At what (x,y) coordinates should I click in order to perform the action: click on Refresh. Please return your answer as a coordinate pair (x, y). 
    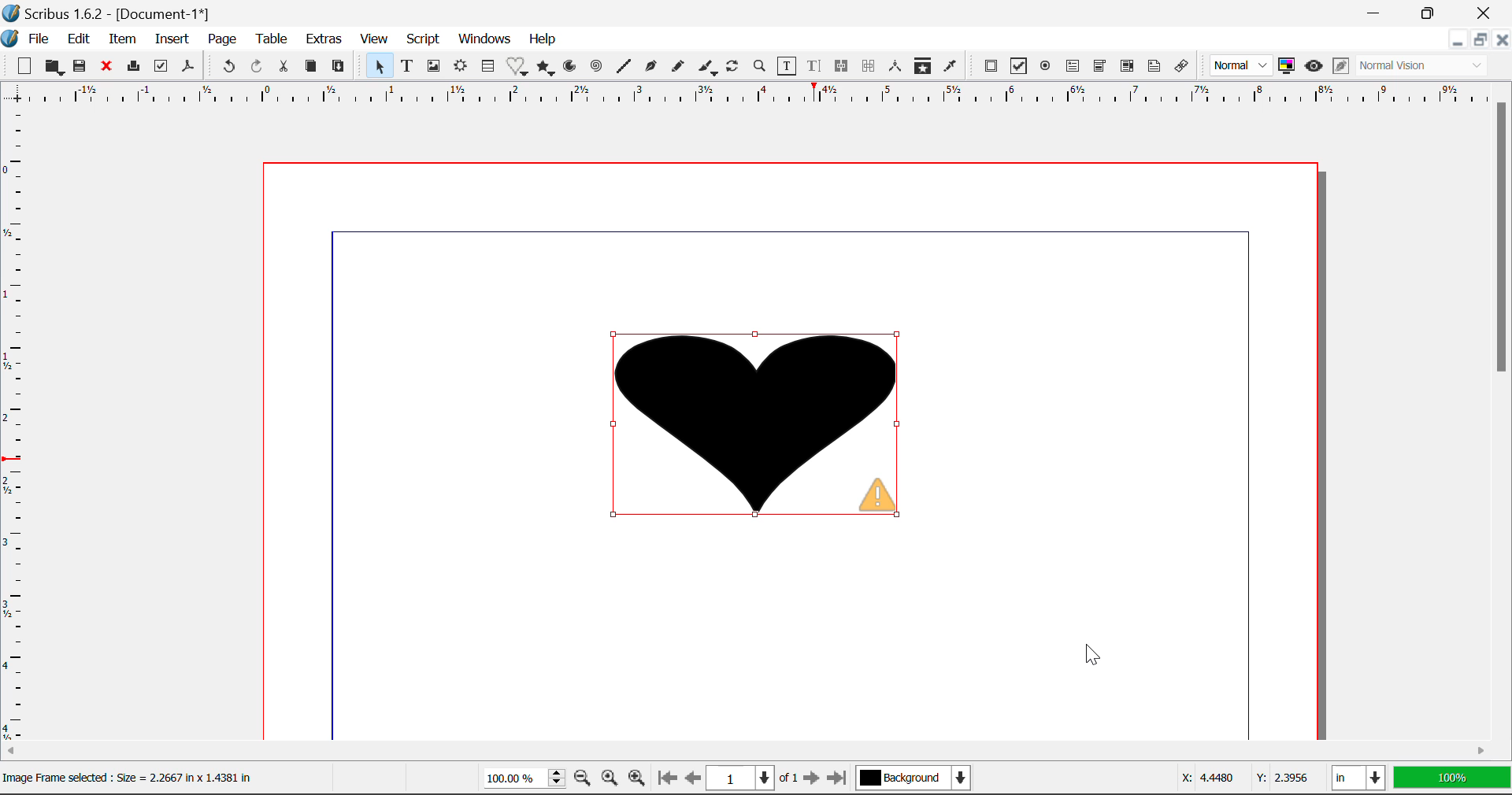
    Looking at the image, I should click on (736, 68).